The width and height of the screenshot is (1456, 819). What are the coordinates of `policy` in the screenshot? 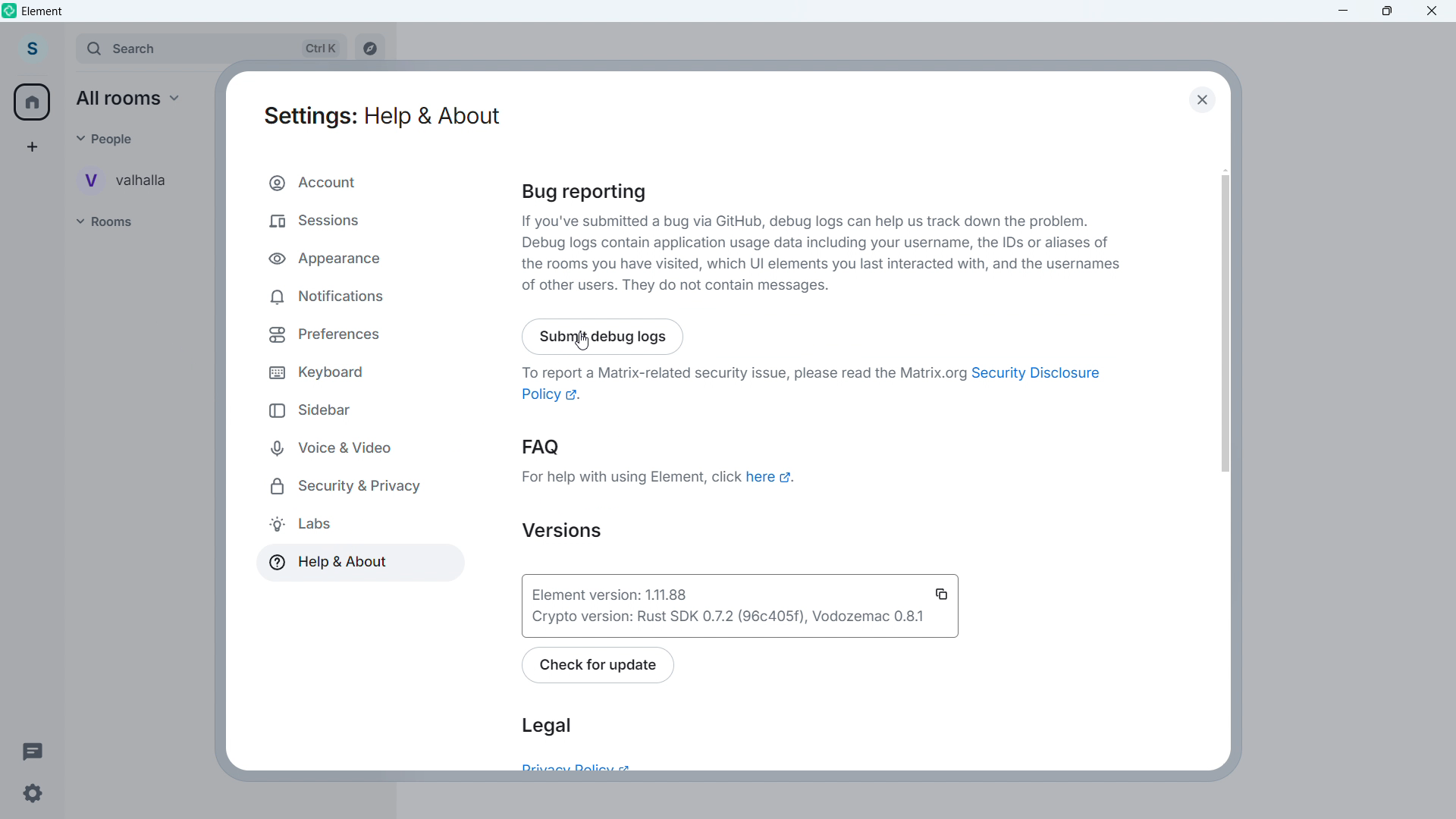 It's located at (553, 395).